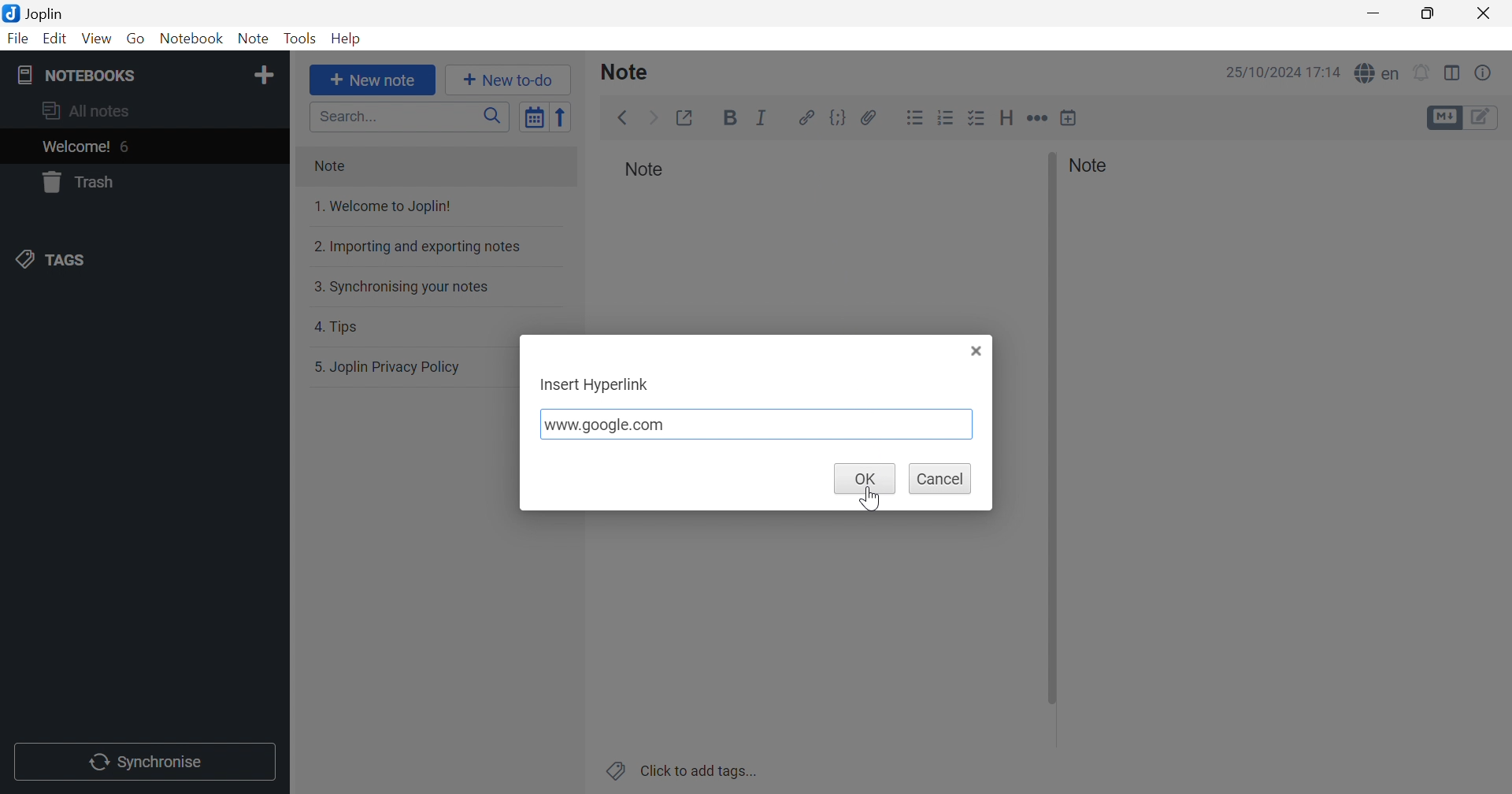 This screenshot has width=1512, height=794. What do you see at coordinates (1326, 73) in the screenshot?
I see `17:14` at bounding box center [1326, 73].